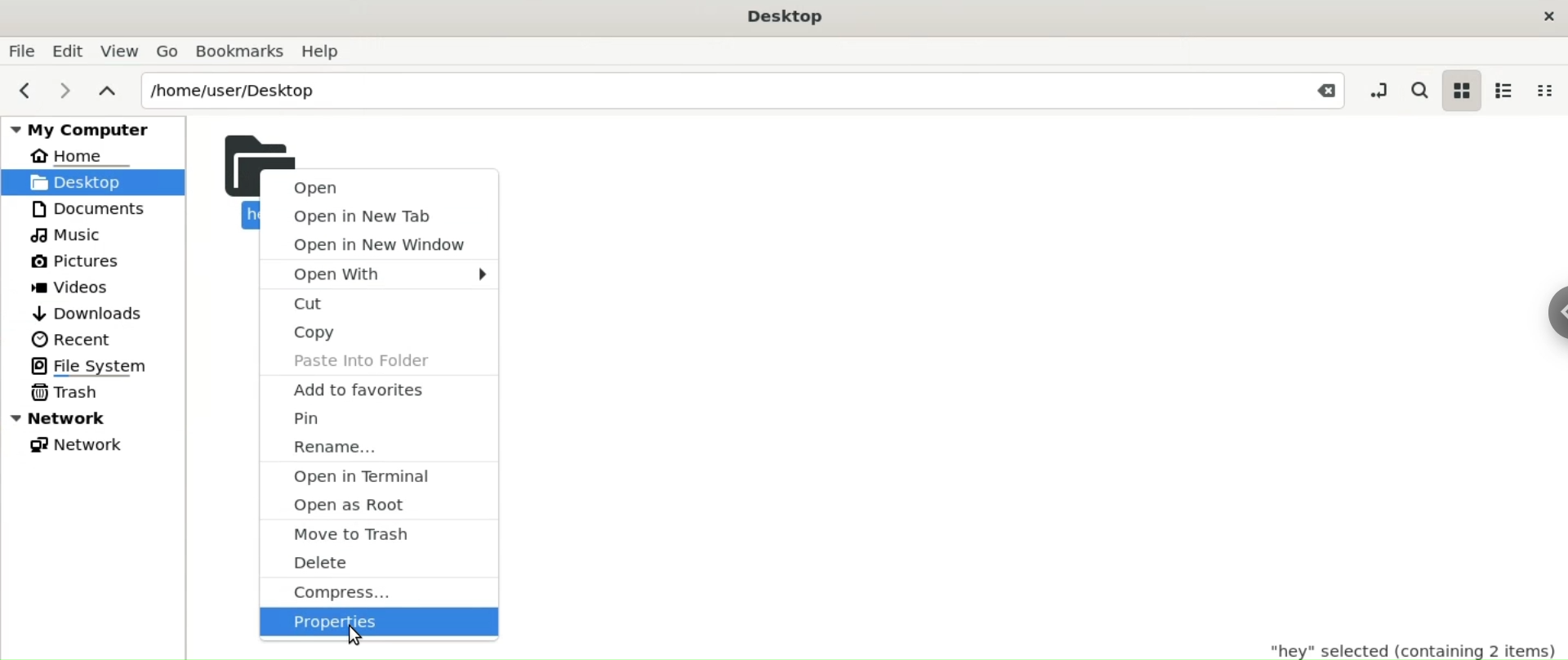 The height and width of the screenshot is (660, 1568). I want to click on Recent, so click(71, 341).